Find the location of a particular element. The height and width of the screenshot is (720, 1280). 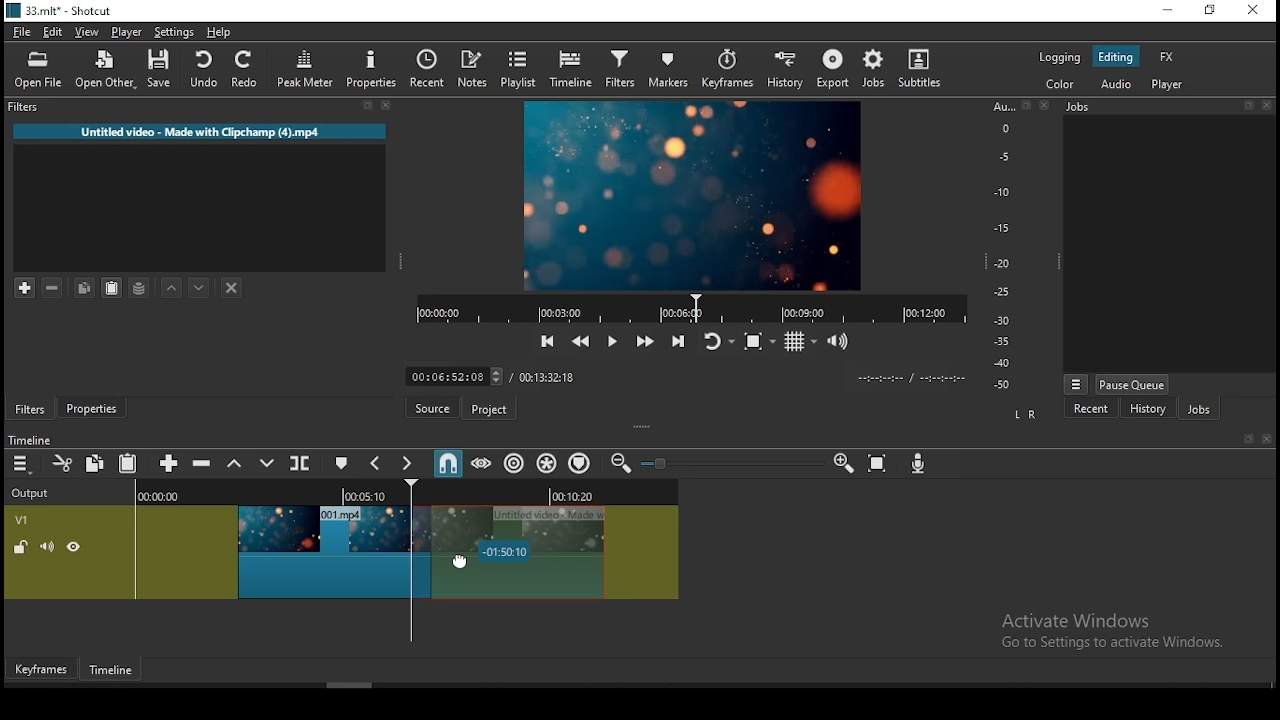

file is located at coordinates (23, 32).